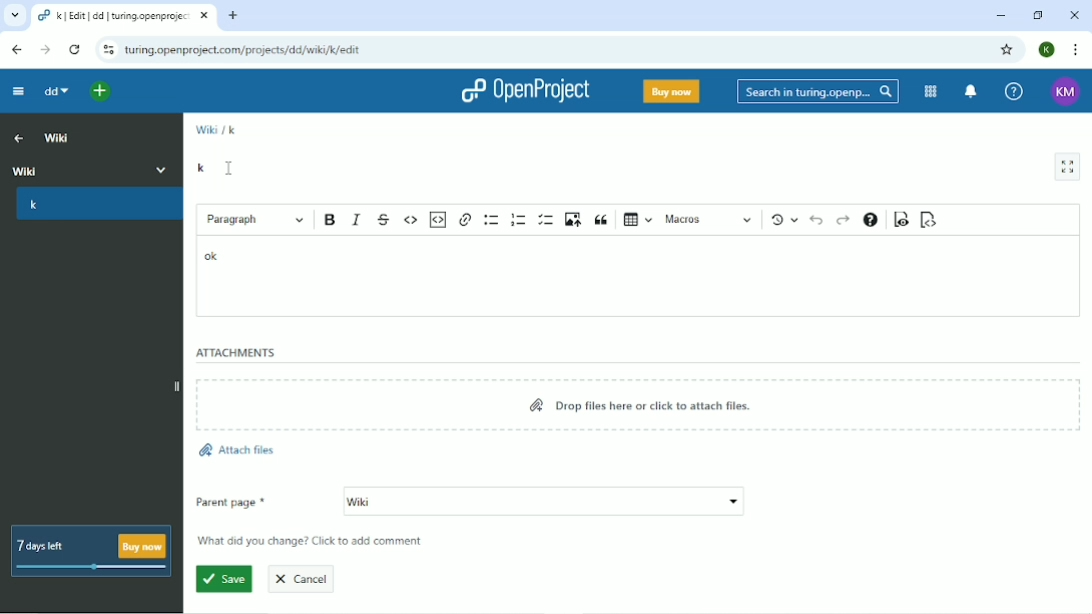 This screenshot has width=1092, height=614. What do you see at coordinates (638, 407) in the screenshot?
I see `Drop files here or click to attach files.` at bounding box center [638, 407].